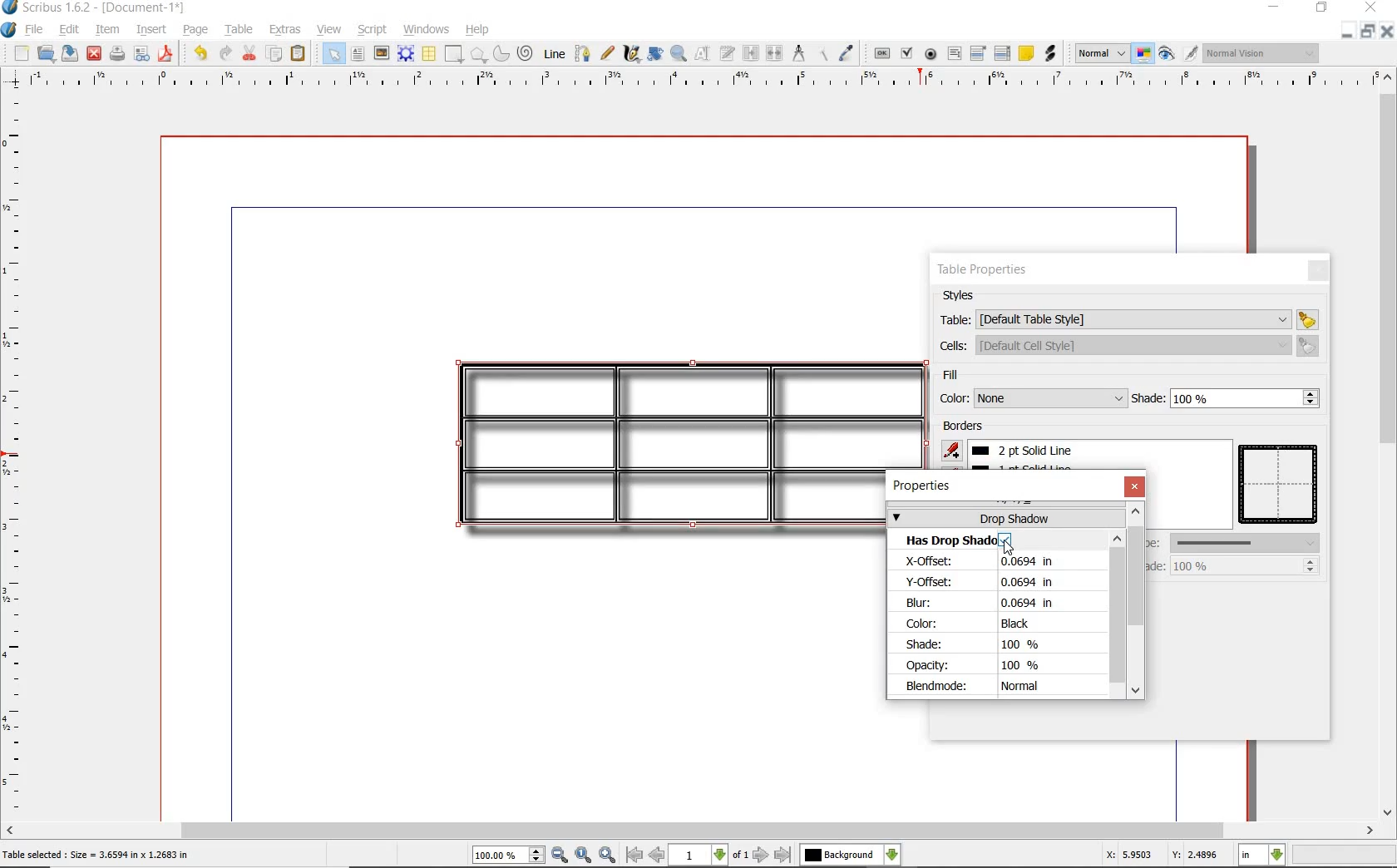 This screenshot has height=868, width=1397. Describe the element at coordinates (784, 854) in the screenshot. I see `go to last page` at that location.